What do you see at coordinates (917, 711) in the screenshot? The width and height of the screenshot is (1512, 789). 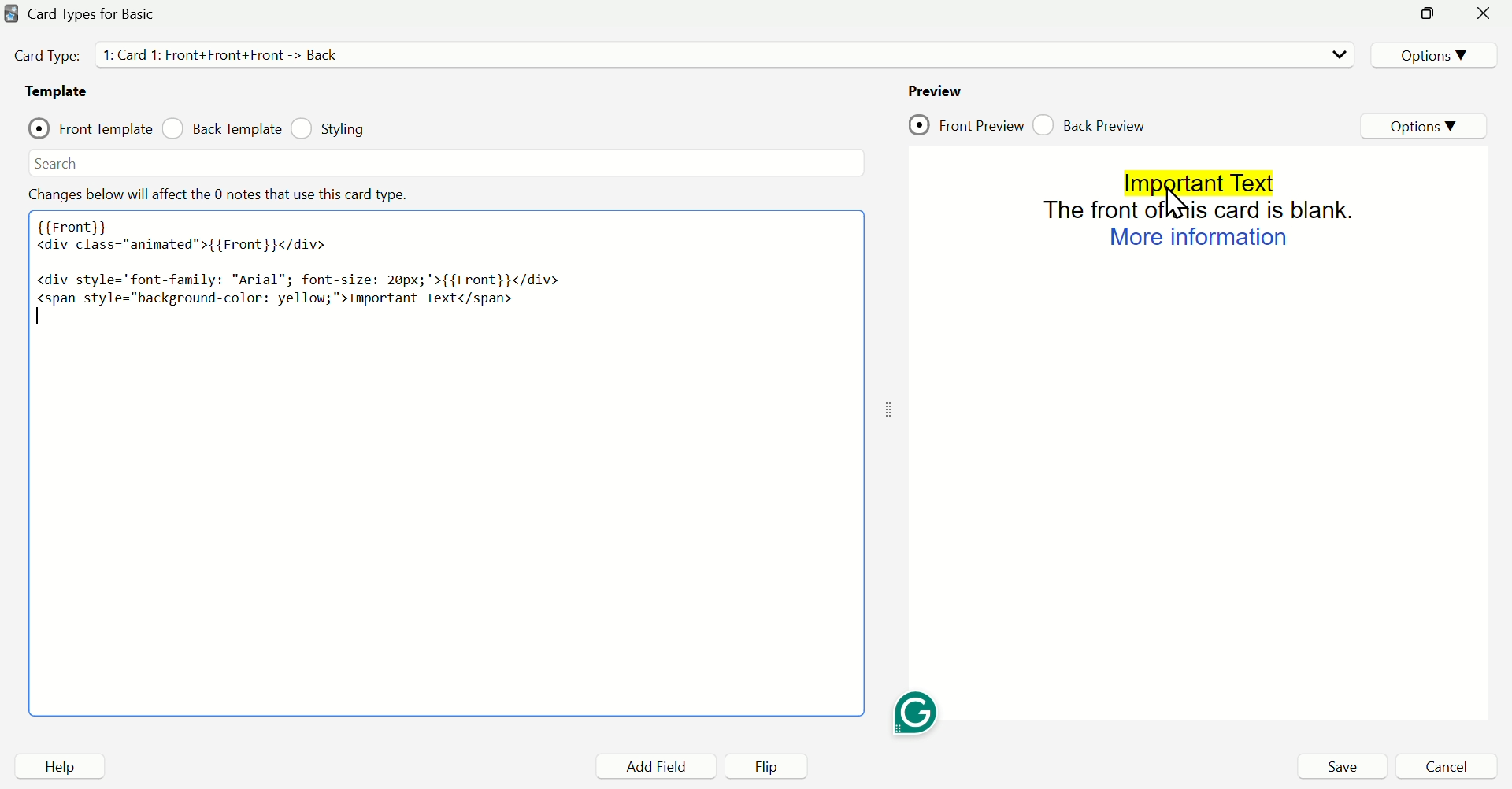 I see `Grammarly` at bounding box center [917, 711].